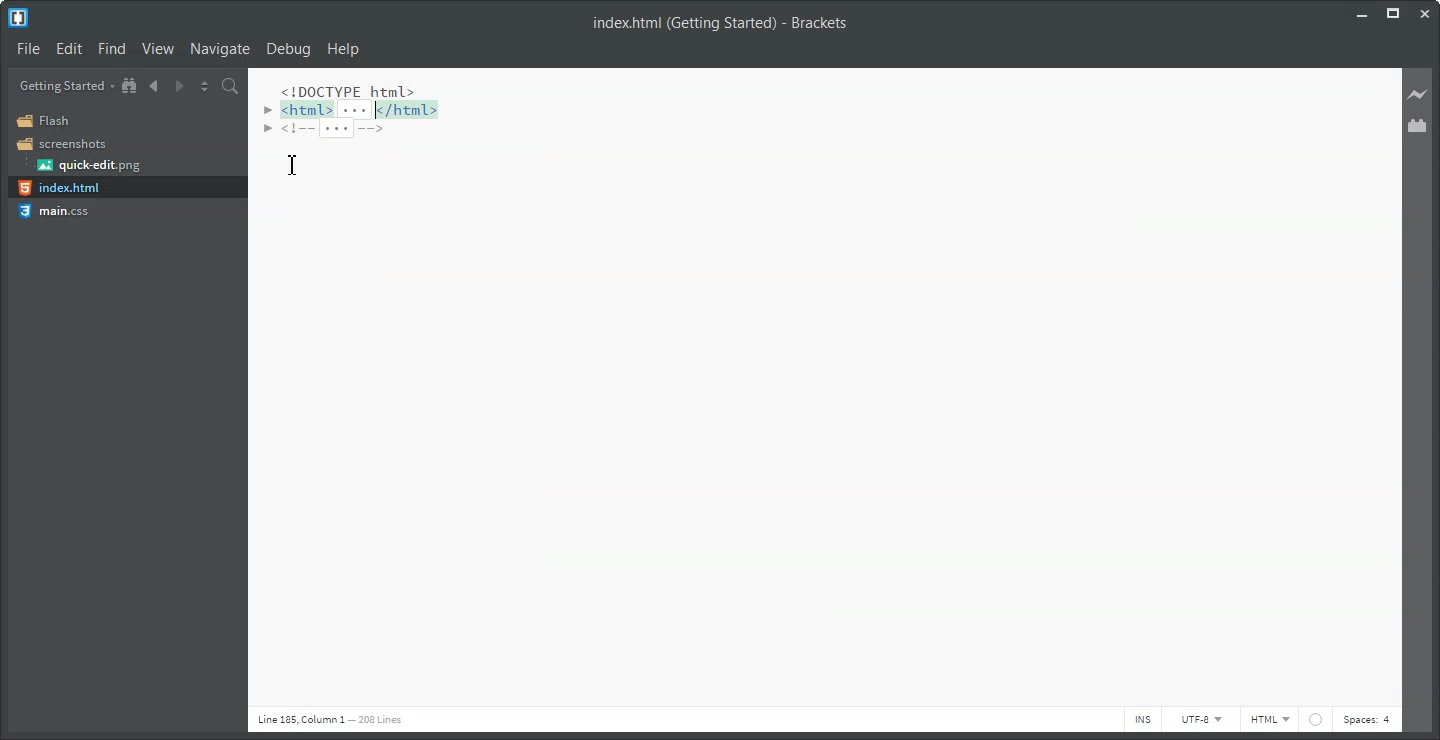  What do you see at coordinates (710, 24) in the screenshot?
I see `index.html (Getting Started) - Brackets` at bounding box center [710, 24].